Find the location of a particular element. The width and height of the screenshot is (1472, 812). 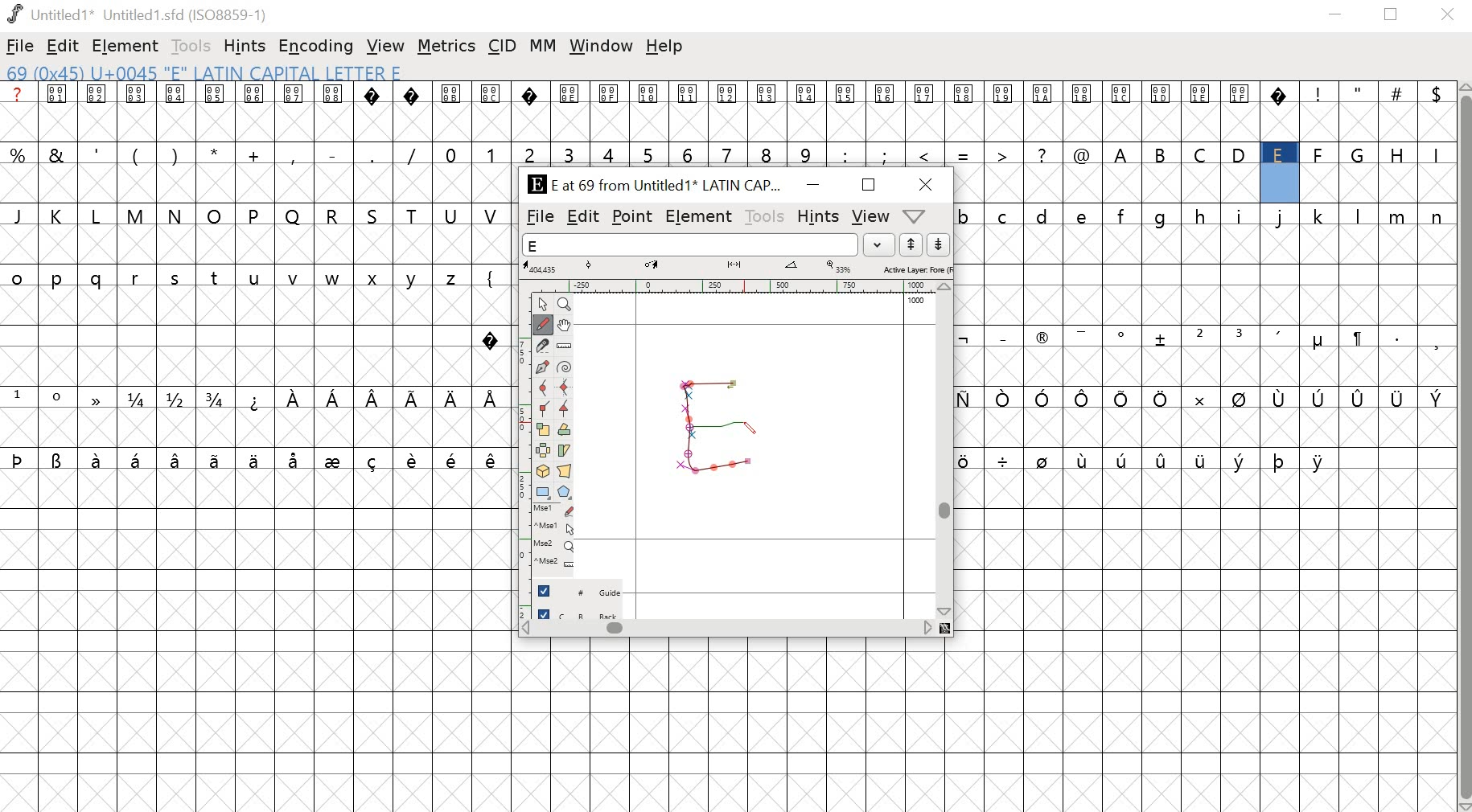

E at 69 from Untitled1 LATIN CAPI... is located at coordinates (651, 186).